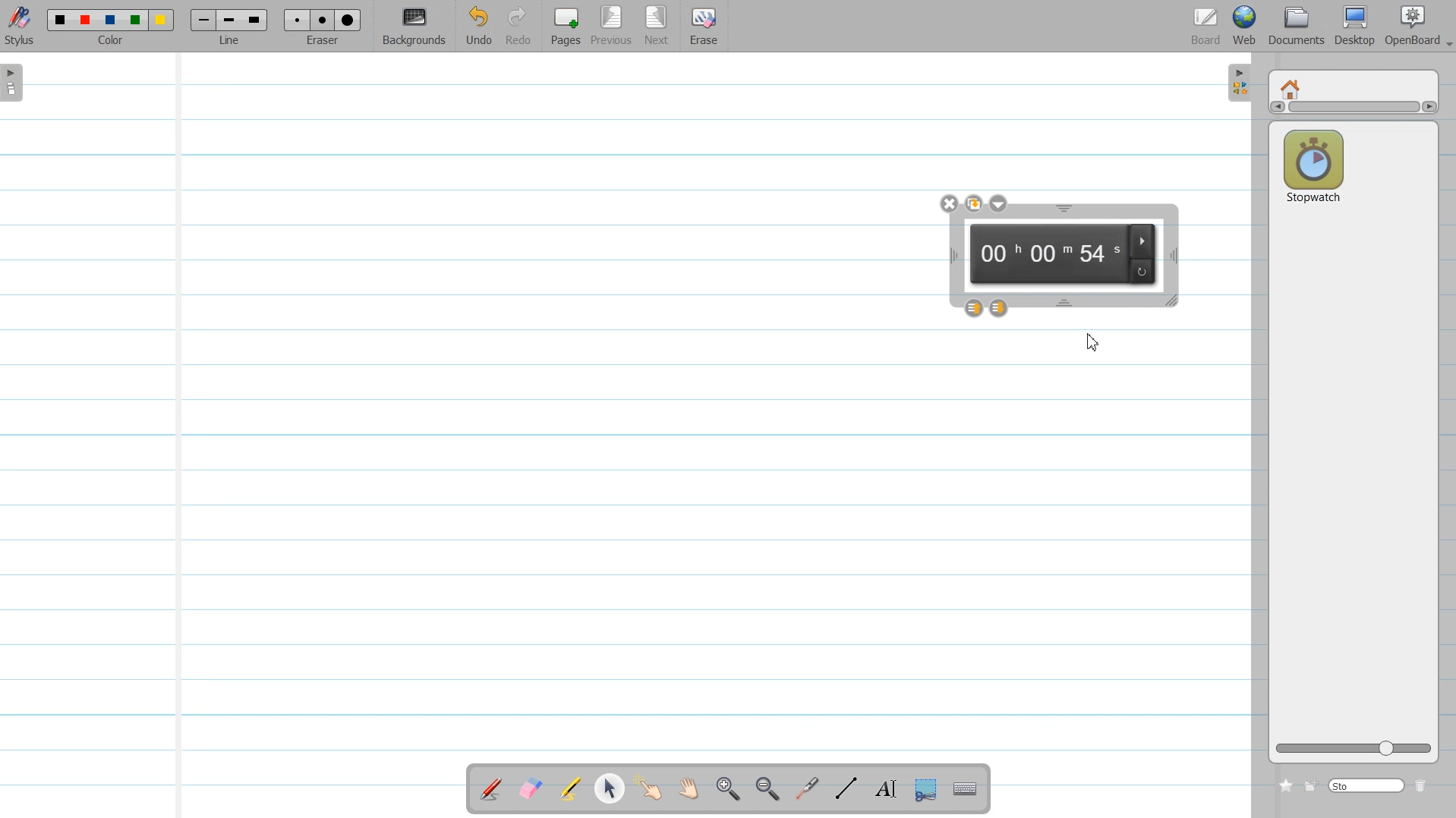  Describe the element at coordinates (729, 789) in the screenshot. I see `Zoom in` at that location.